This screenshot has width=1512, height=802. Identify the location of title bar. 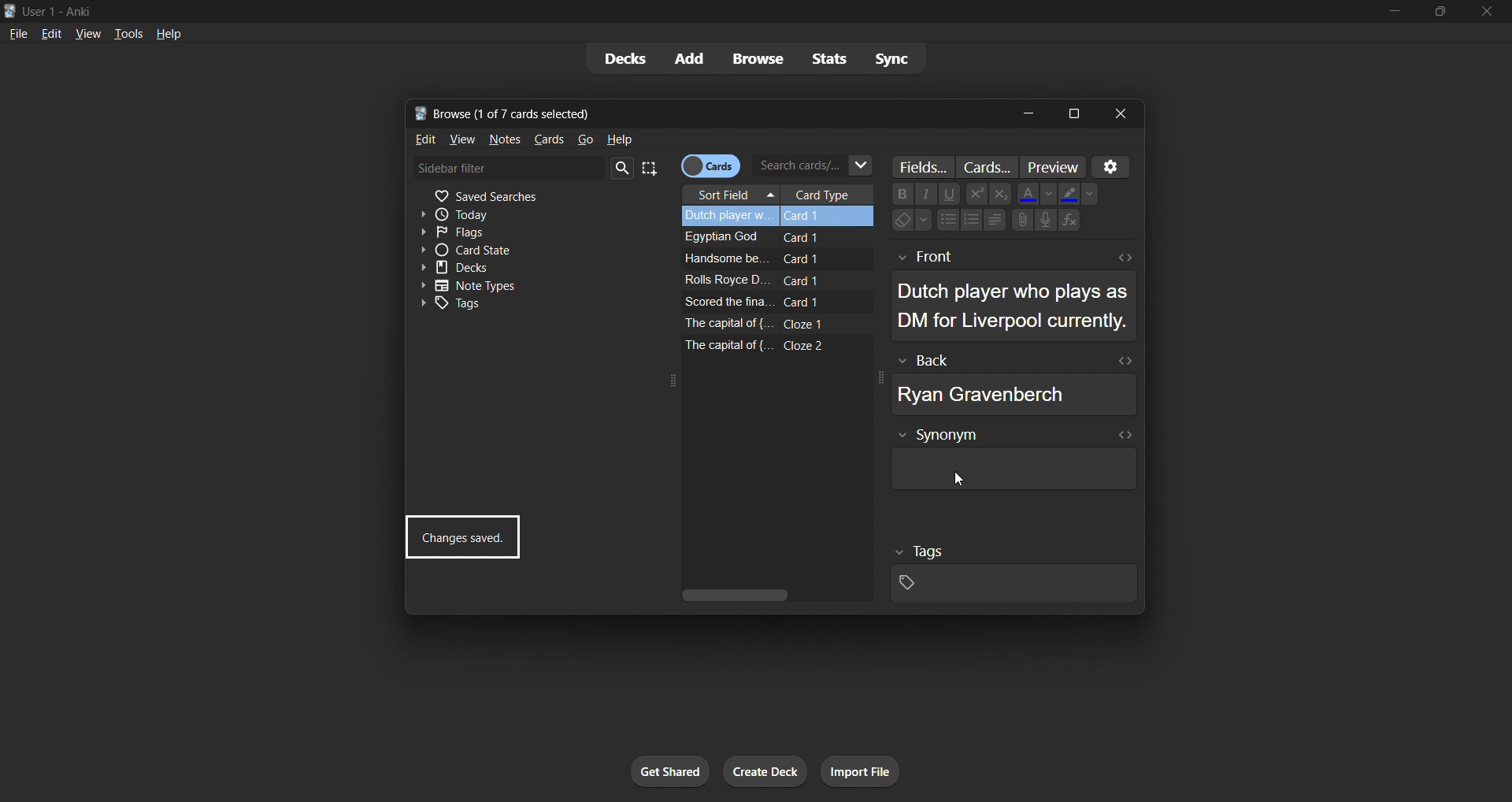
(708, 113).